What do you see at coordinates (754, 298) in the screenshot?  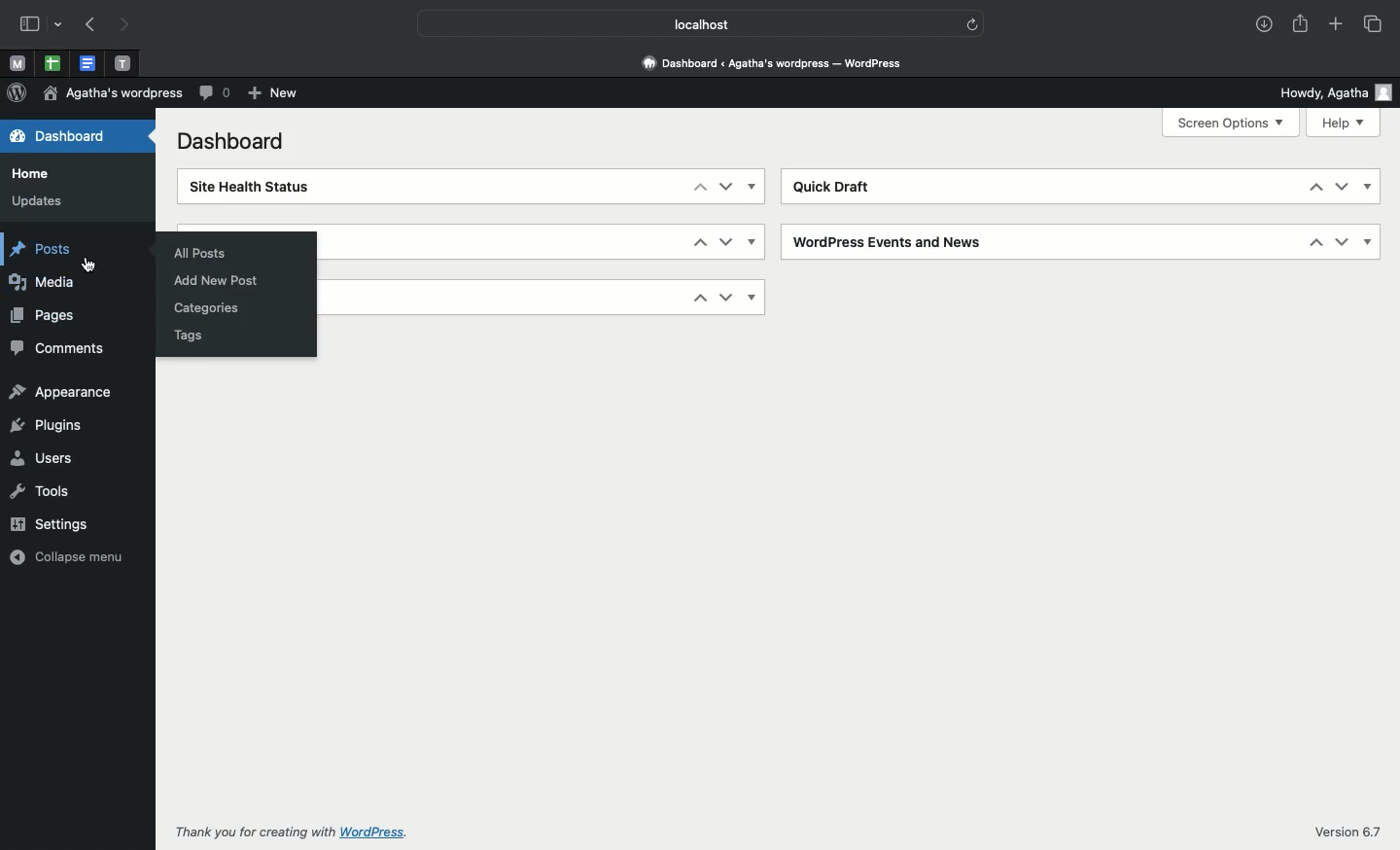 I see `Show` at bounding box center [754, 298].